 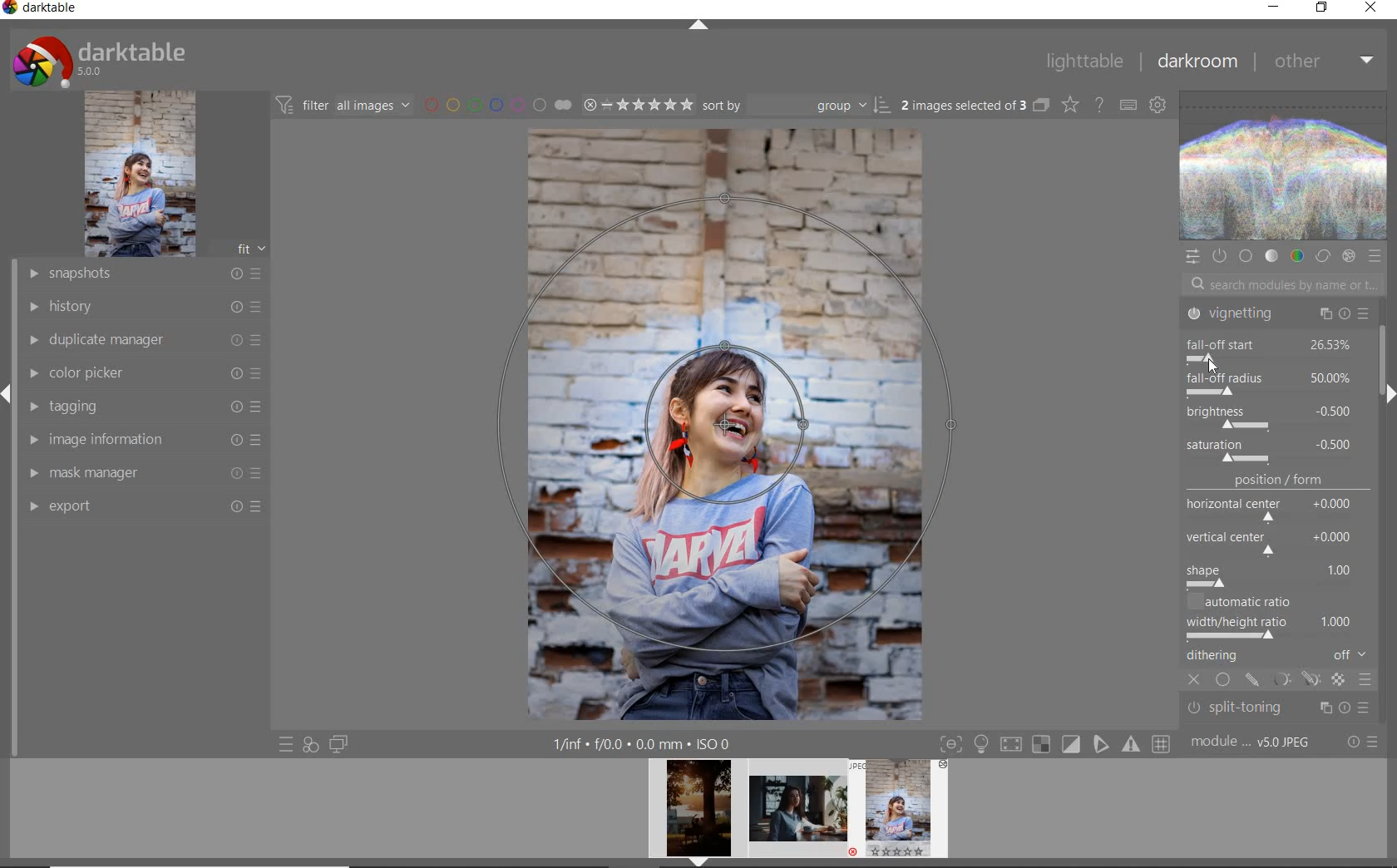 I want to click on image preview, so click(x=694, y=813).